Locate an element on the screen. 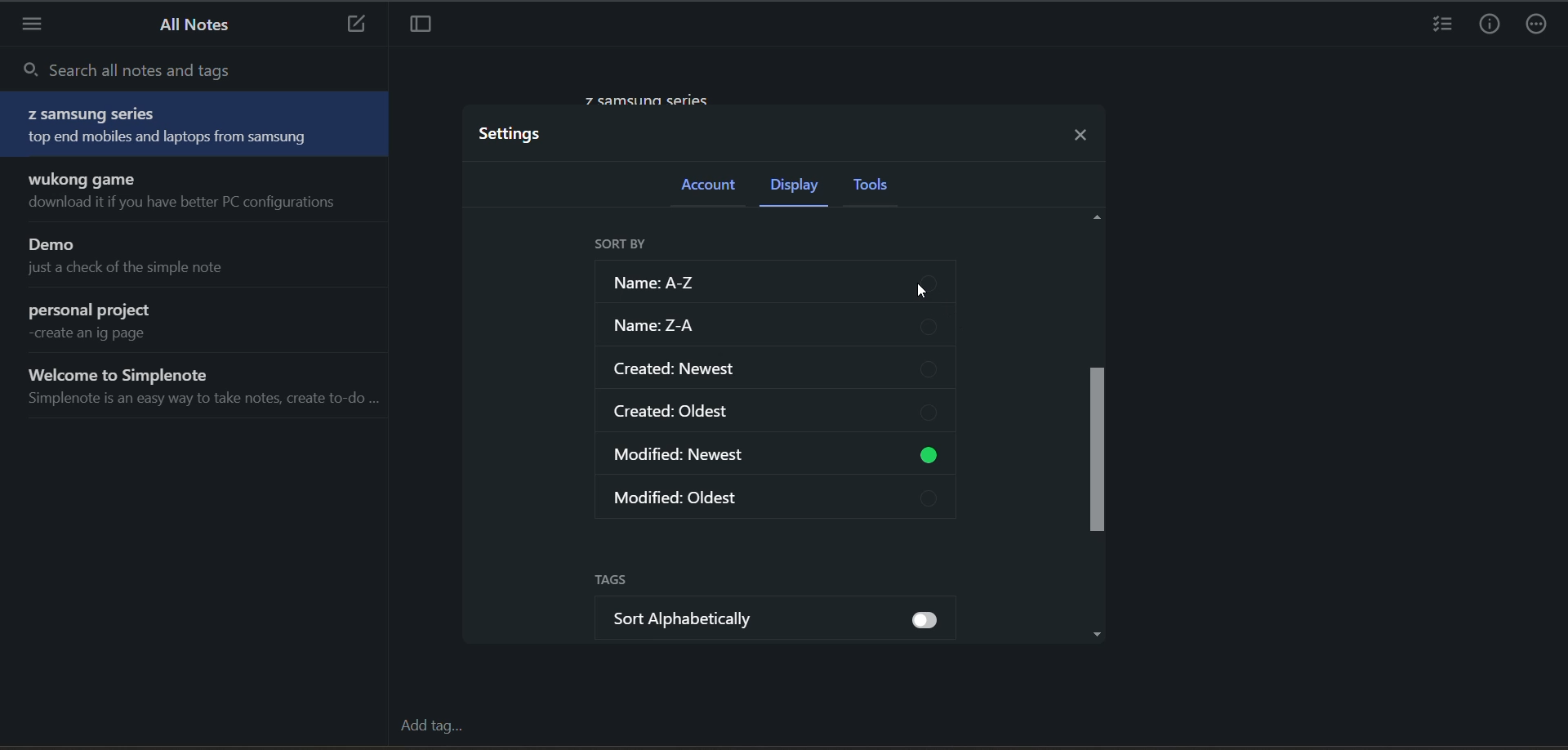 This screenshot has height=750, width=1568. created: newest is located at coordinates (780, 369).